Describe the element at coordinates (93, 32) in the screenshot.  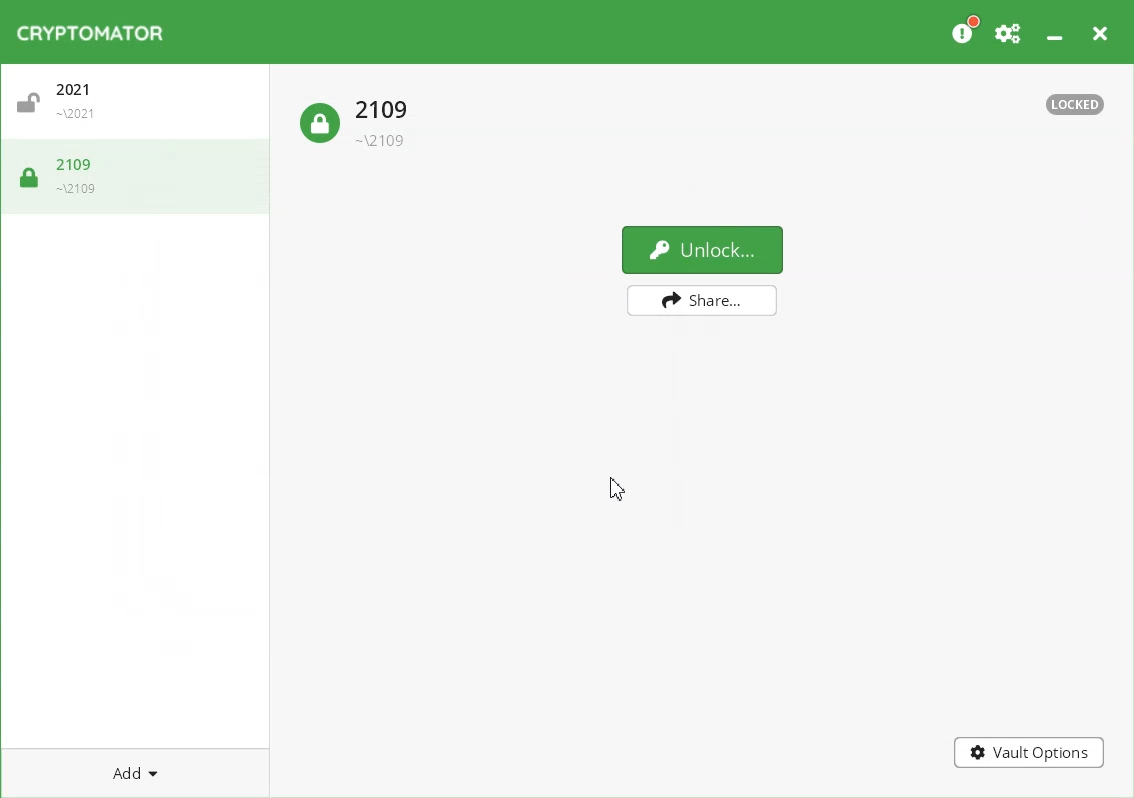
I see `Logo` at that location.